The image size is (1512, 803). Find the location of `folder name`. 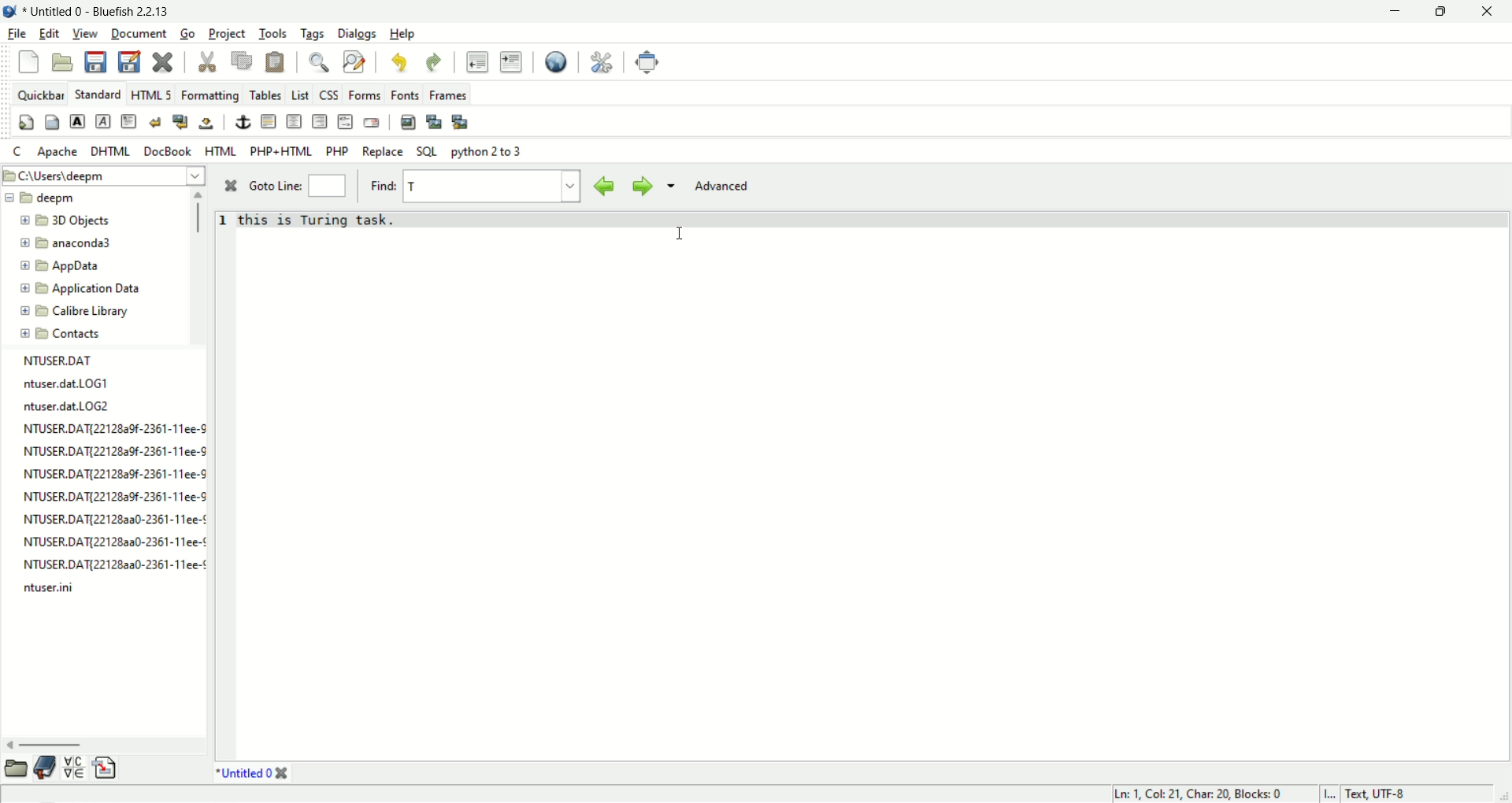

folder name is located at coordinates (83, 310).